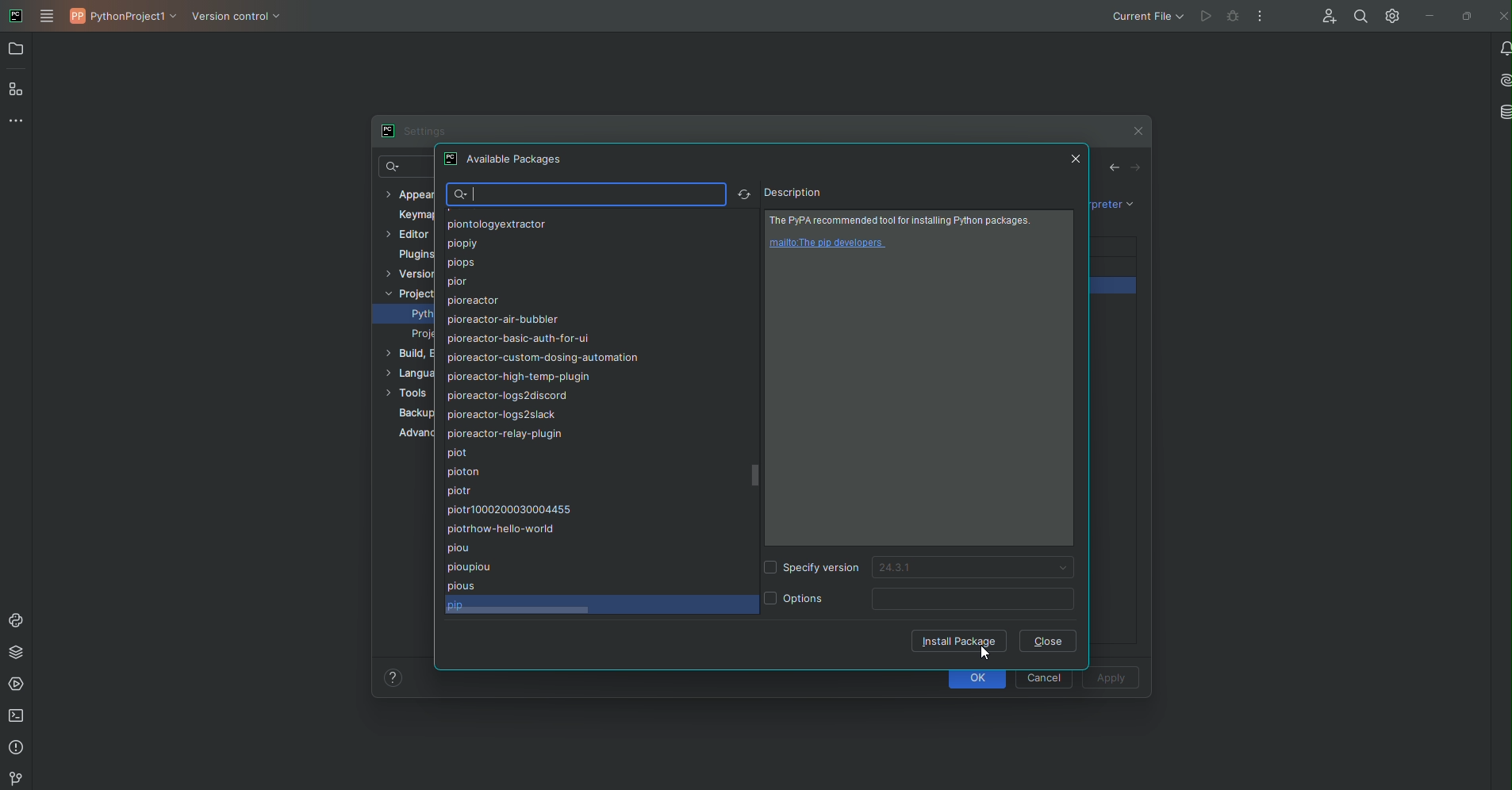 Image resolution: width=1512 pixels, height=790 pixels. I want to click on Close, so click(1136, 131).